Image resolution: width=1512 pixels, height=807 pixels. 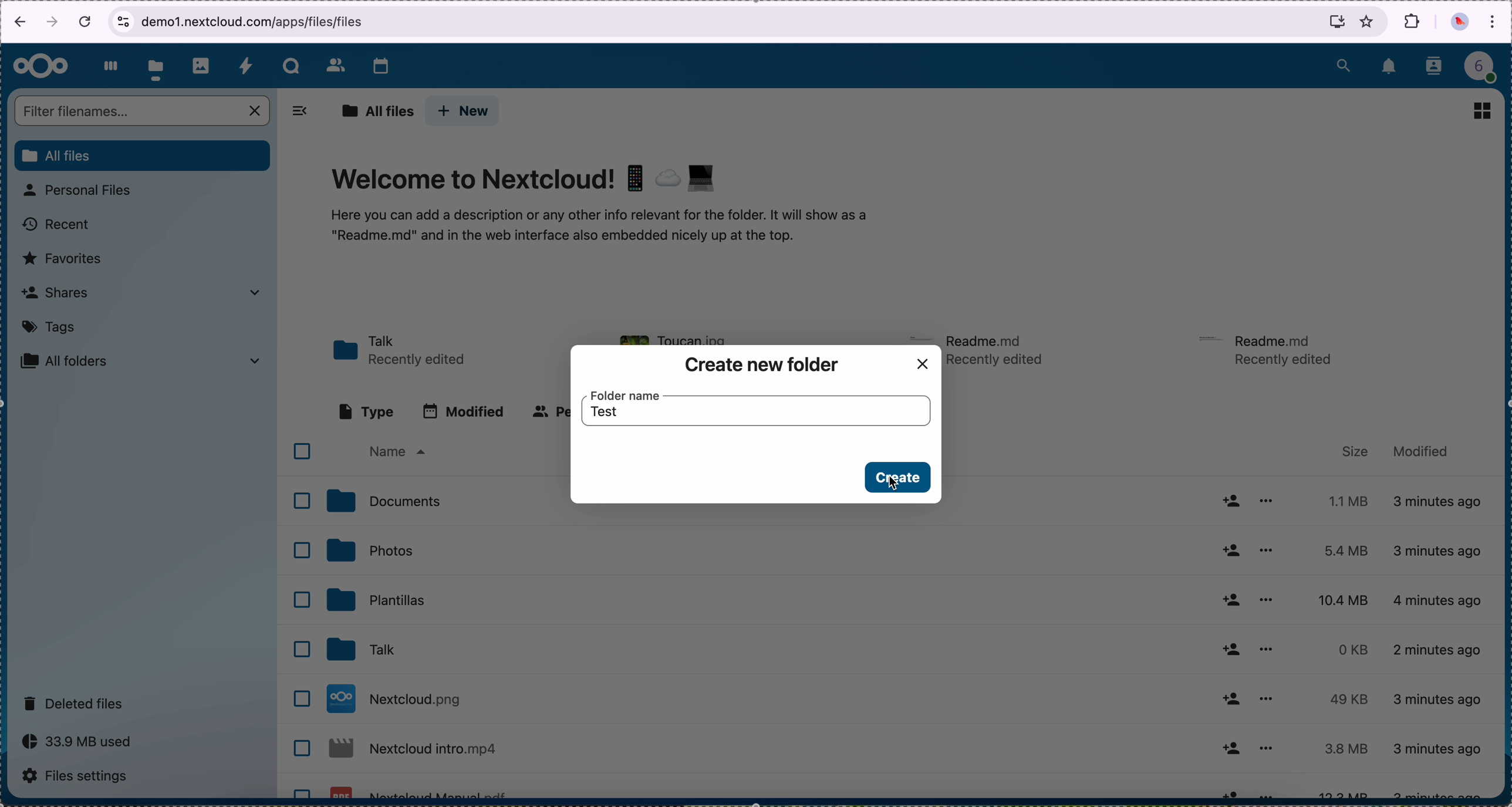 I want to click on more options, so click(x=1268, y=650).